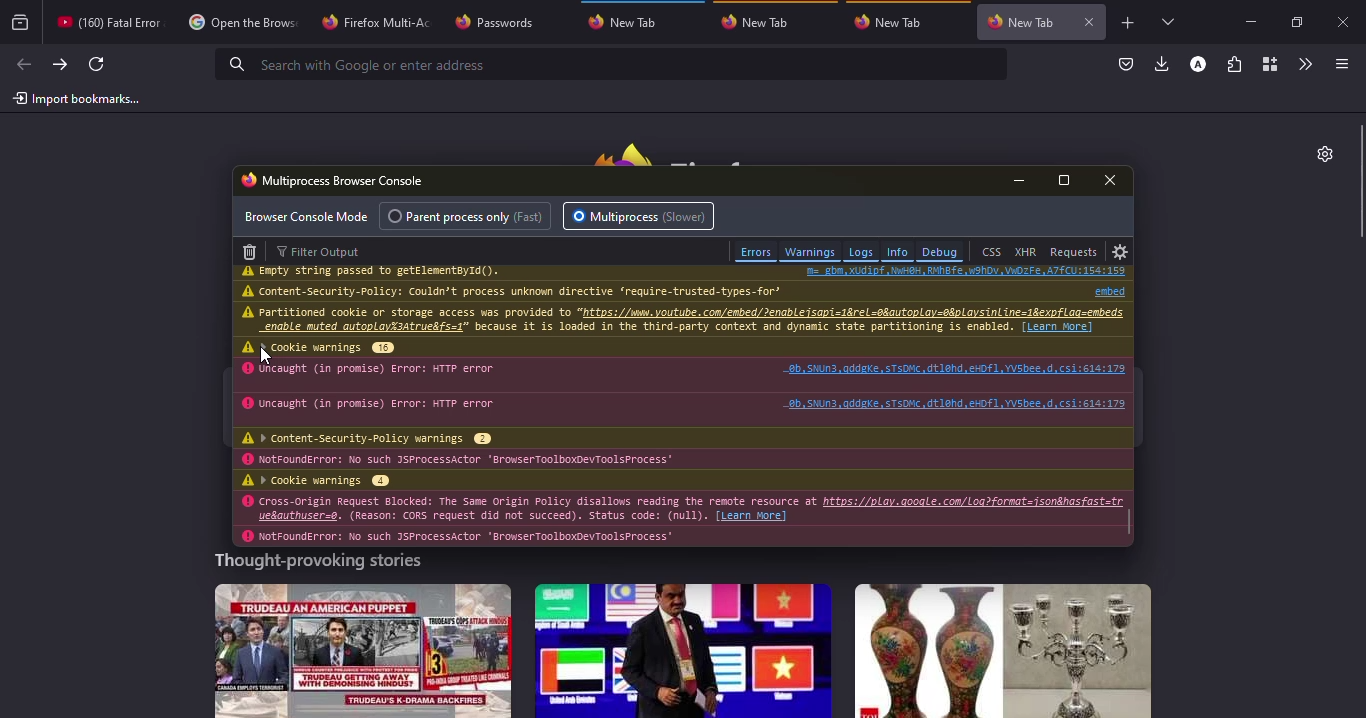  What do you see at coordinates (247, 480) in the screenshot?
I see `warning` at bounding box center [247, 480].